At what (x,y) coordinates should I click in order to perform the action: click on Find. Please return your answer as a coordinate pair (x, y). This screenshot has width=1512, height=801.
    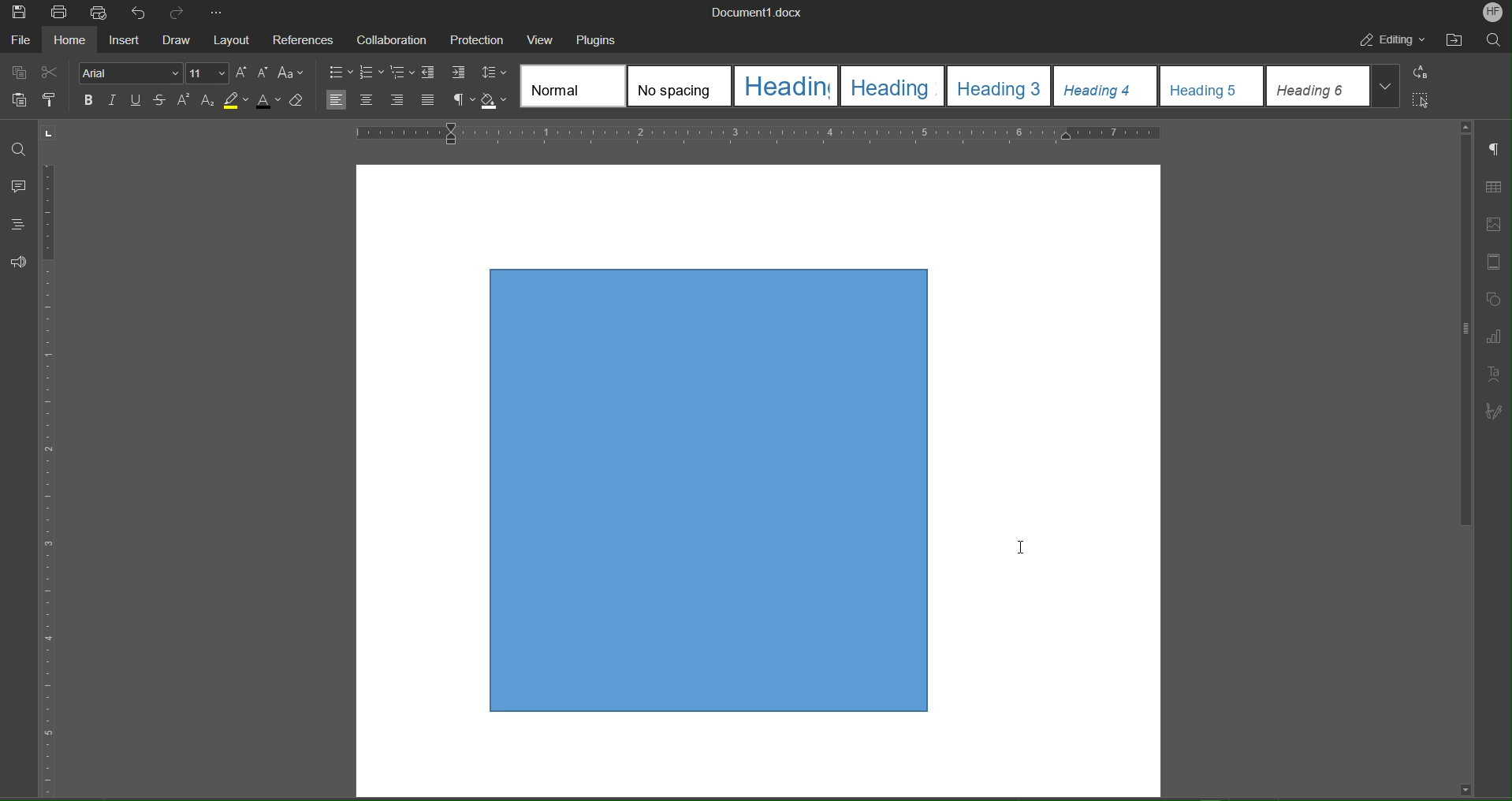
    Looking at the image, I should click on (20, 143).